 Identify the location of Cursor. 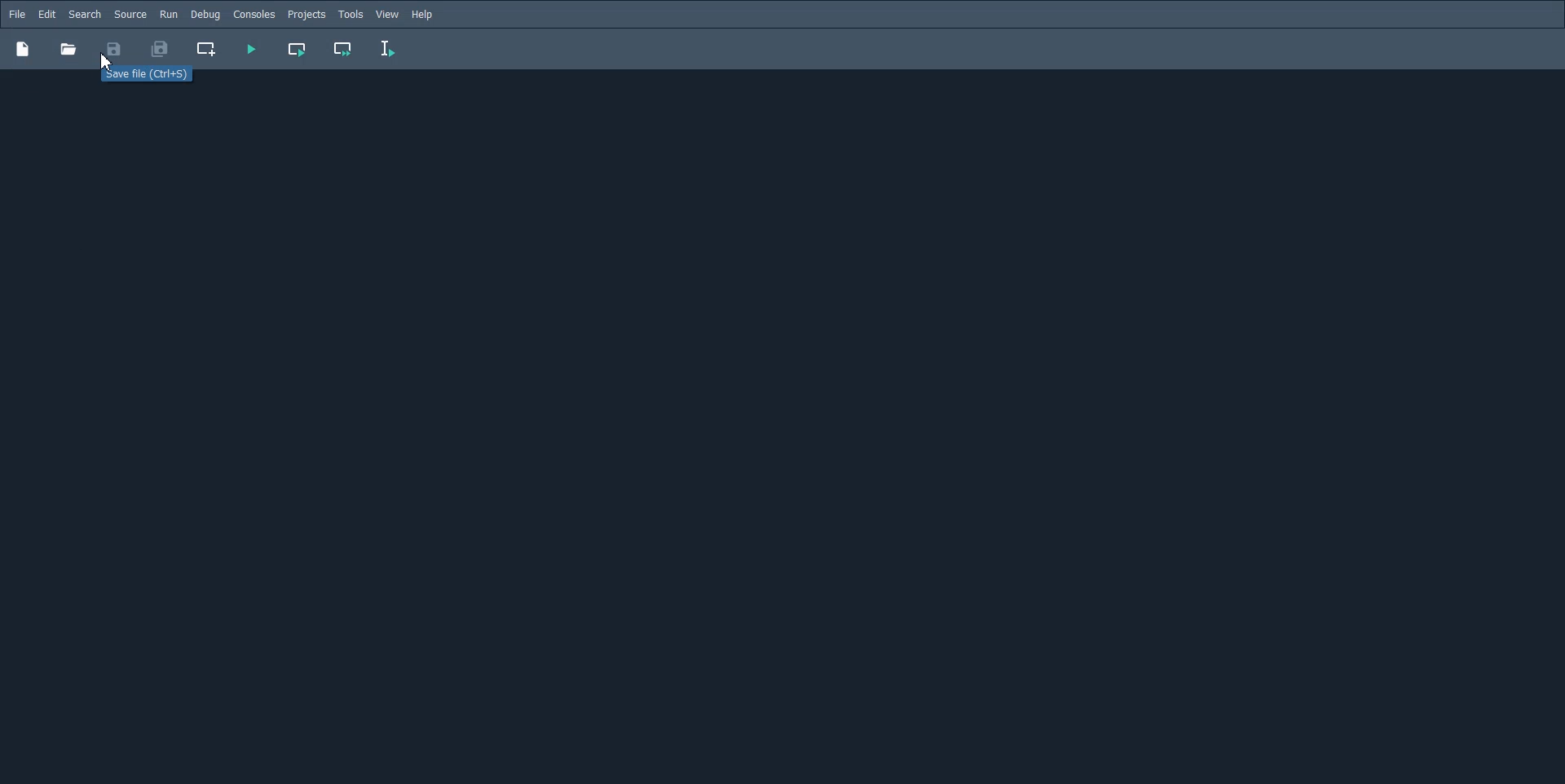
(111, 61).